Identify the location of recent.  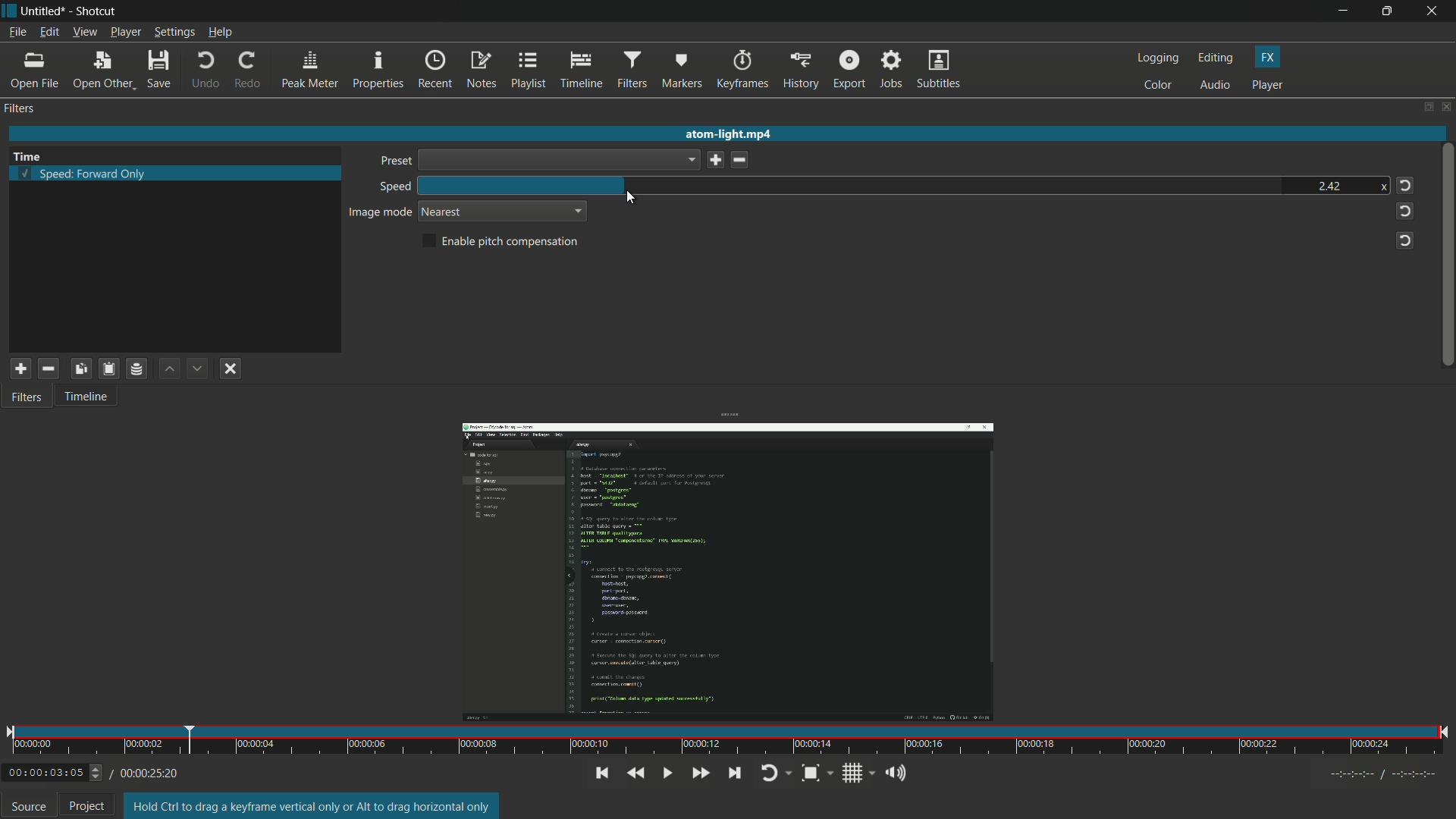
(435, 71).